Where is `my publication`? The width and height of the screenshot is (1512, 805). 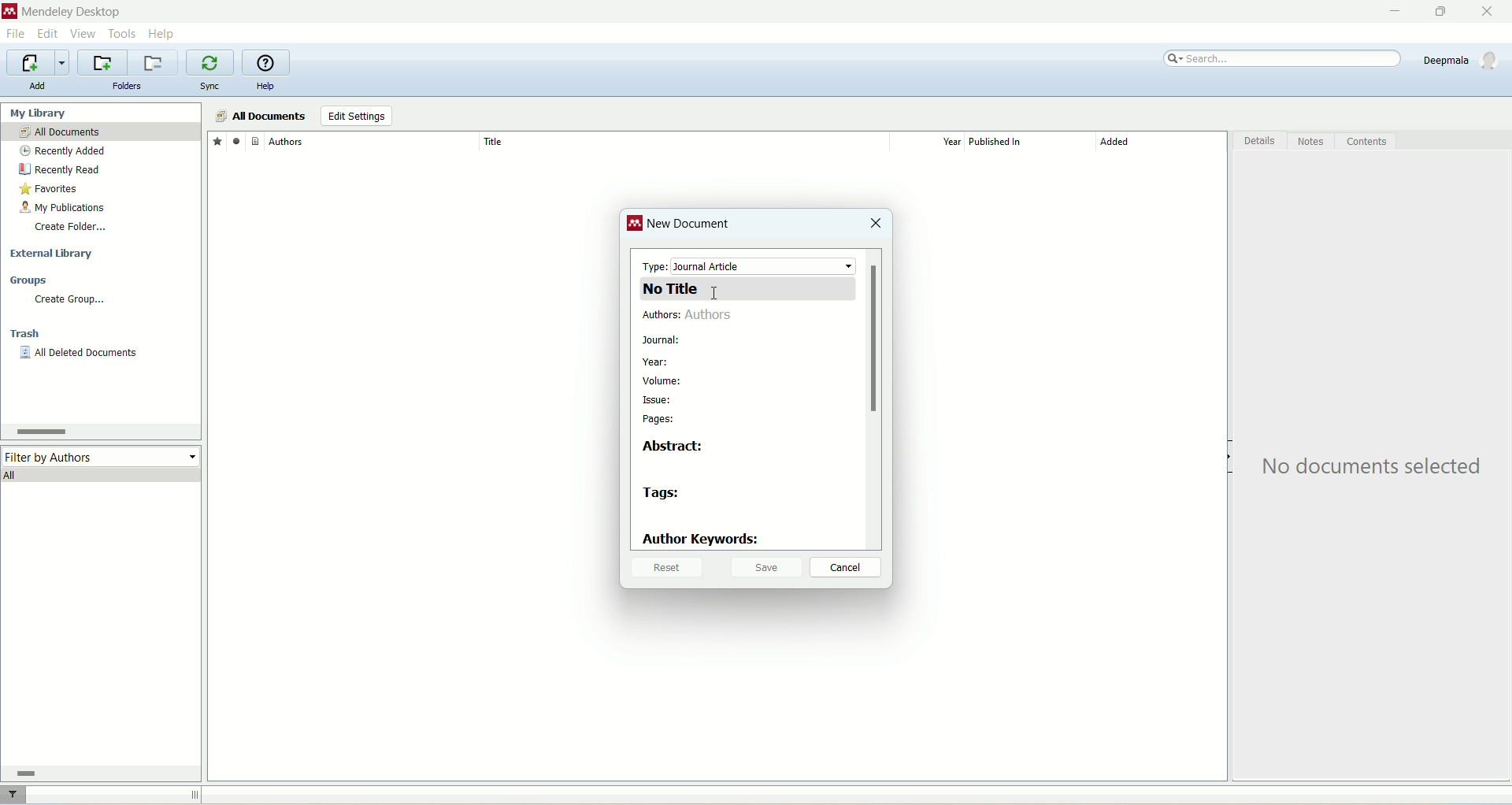 my publication is located at coordinates (65, 209).